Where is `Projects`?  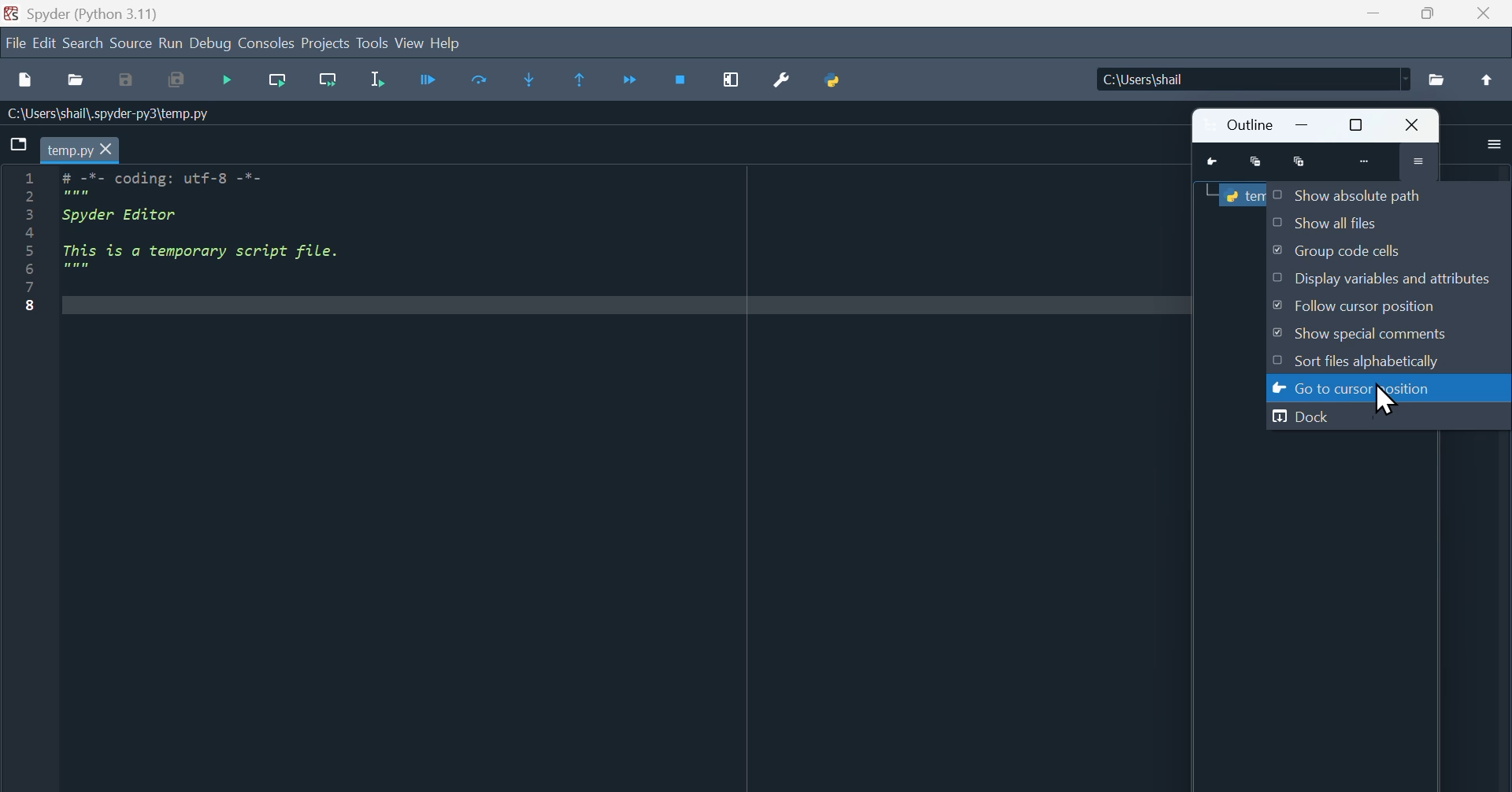
Projects is located at coordinates (326, 41).